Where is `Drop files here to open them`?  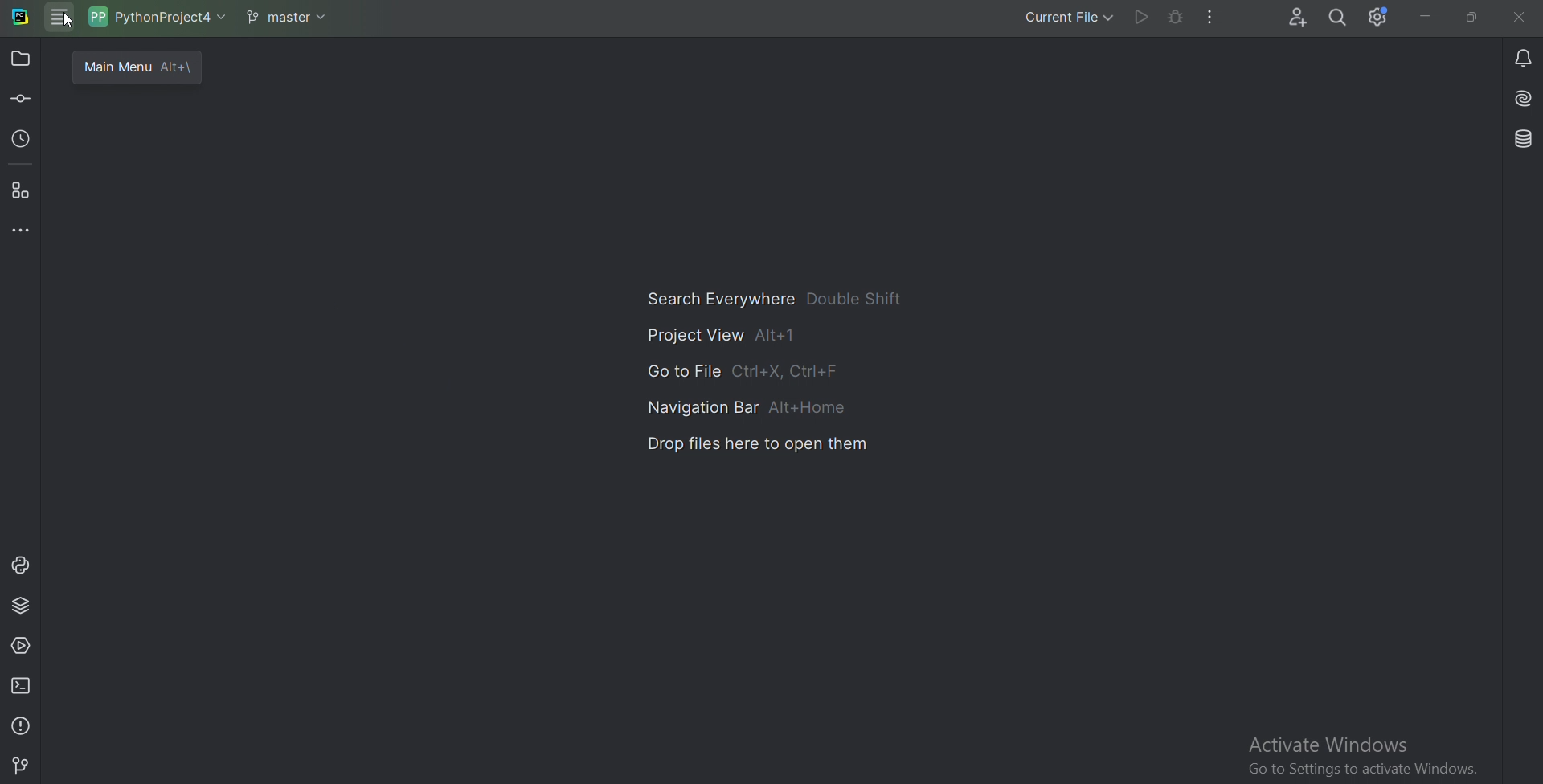 Drop files here to open them is located at coordinates (760, 444).